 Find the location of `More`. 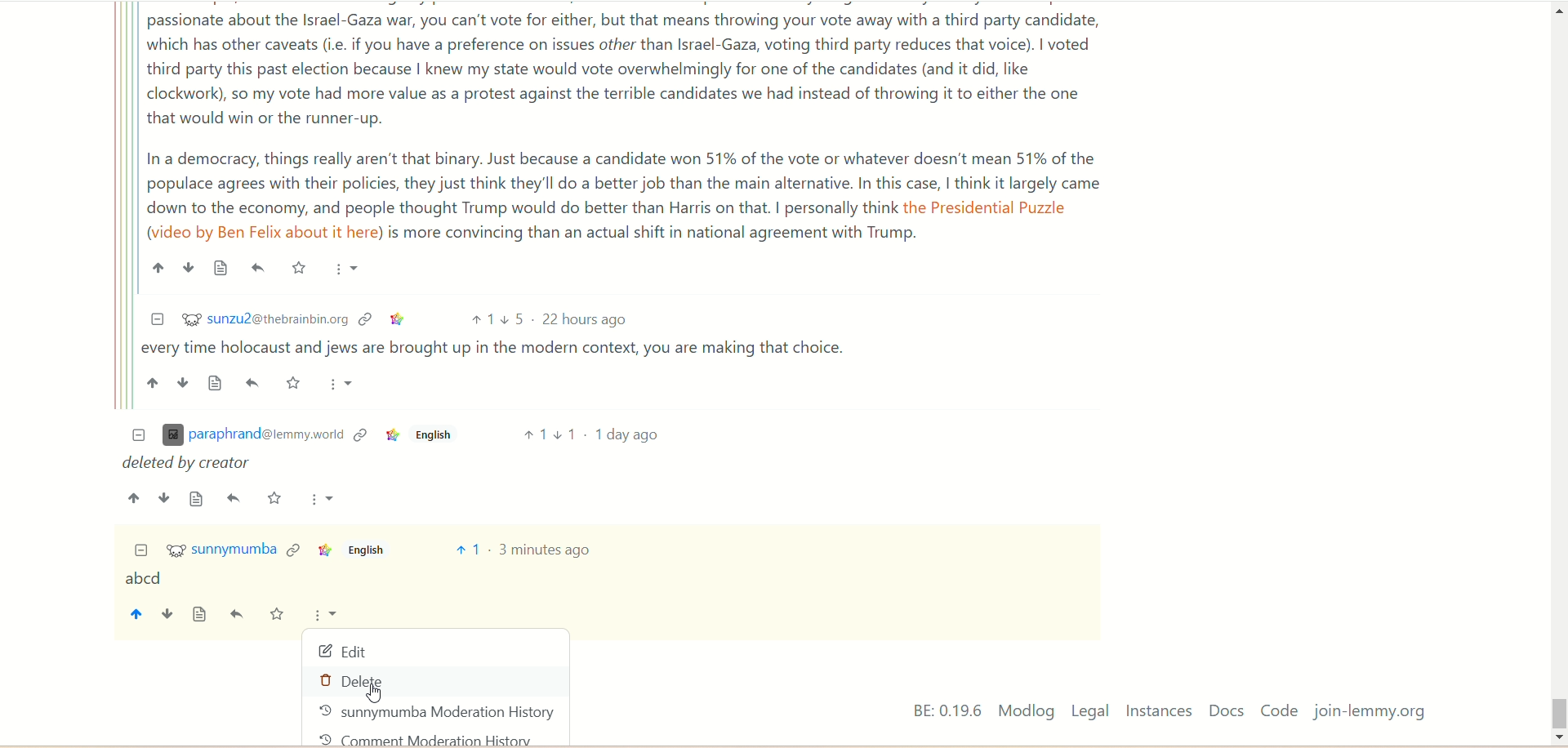

More is located at coordinates (323, 499).